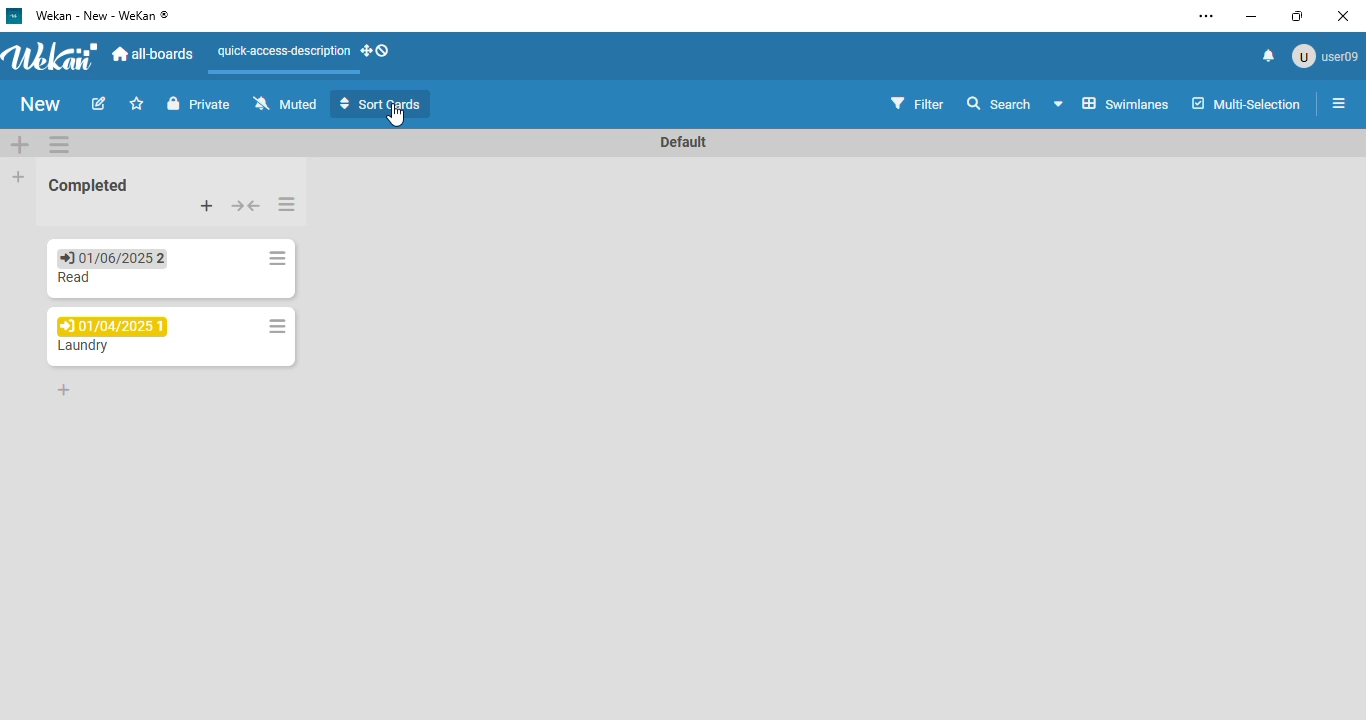  Describe the element at coordinates (284, 51) in the screenshot. I see `quick-access-description` at that location.